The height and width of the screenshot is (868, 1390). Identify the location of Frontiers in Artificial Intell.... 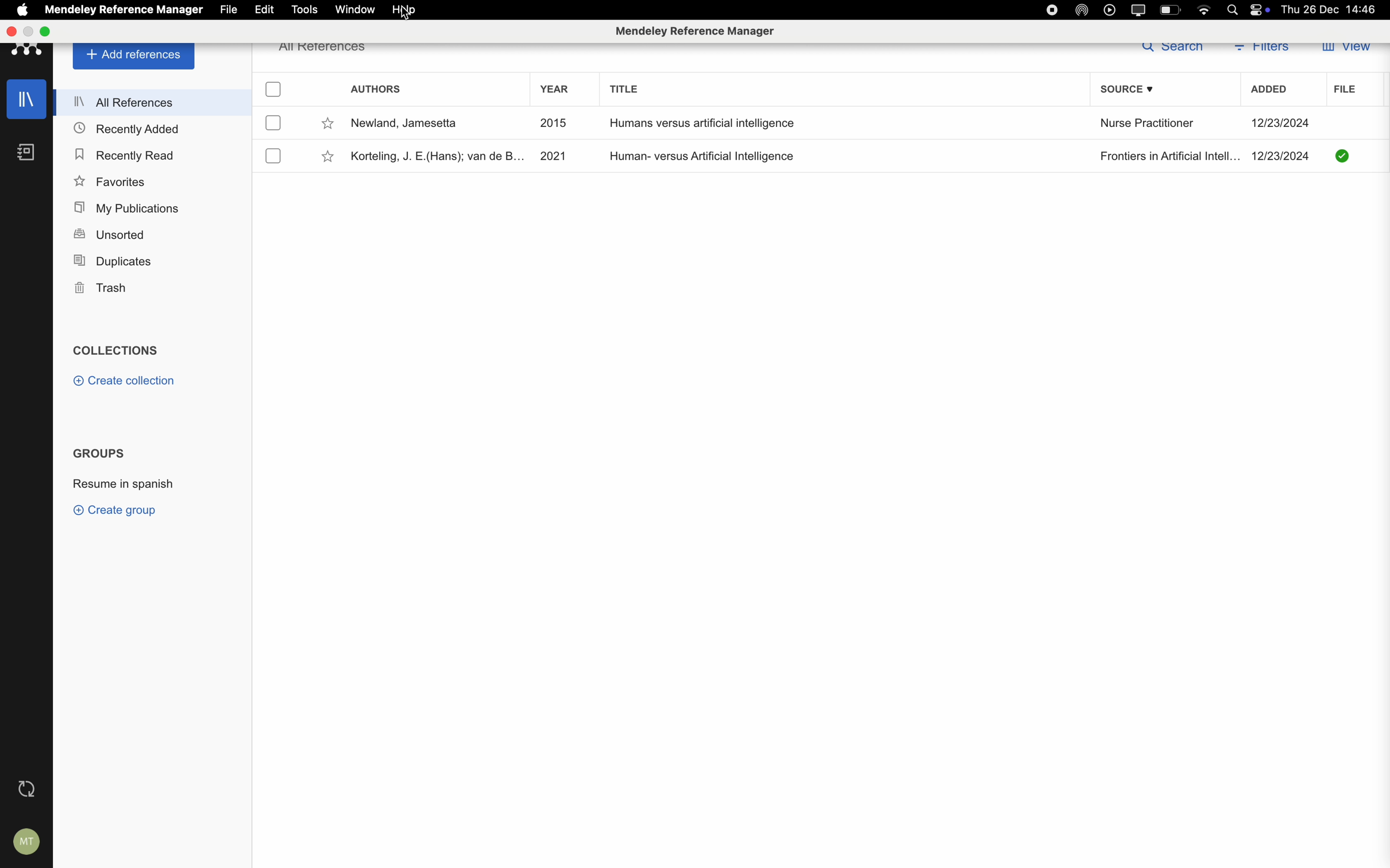
(1169, 156).